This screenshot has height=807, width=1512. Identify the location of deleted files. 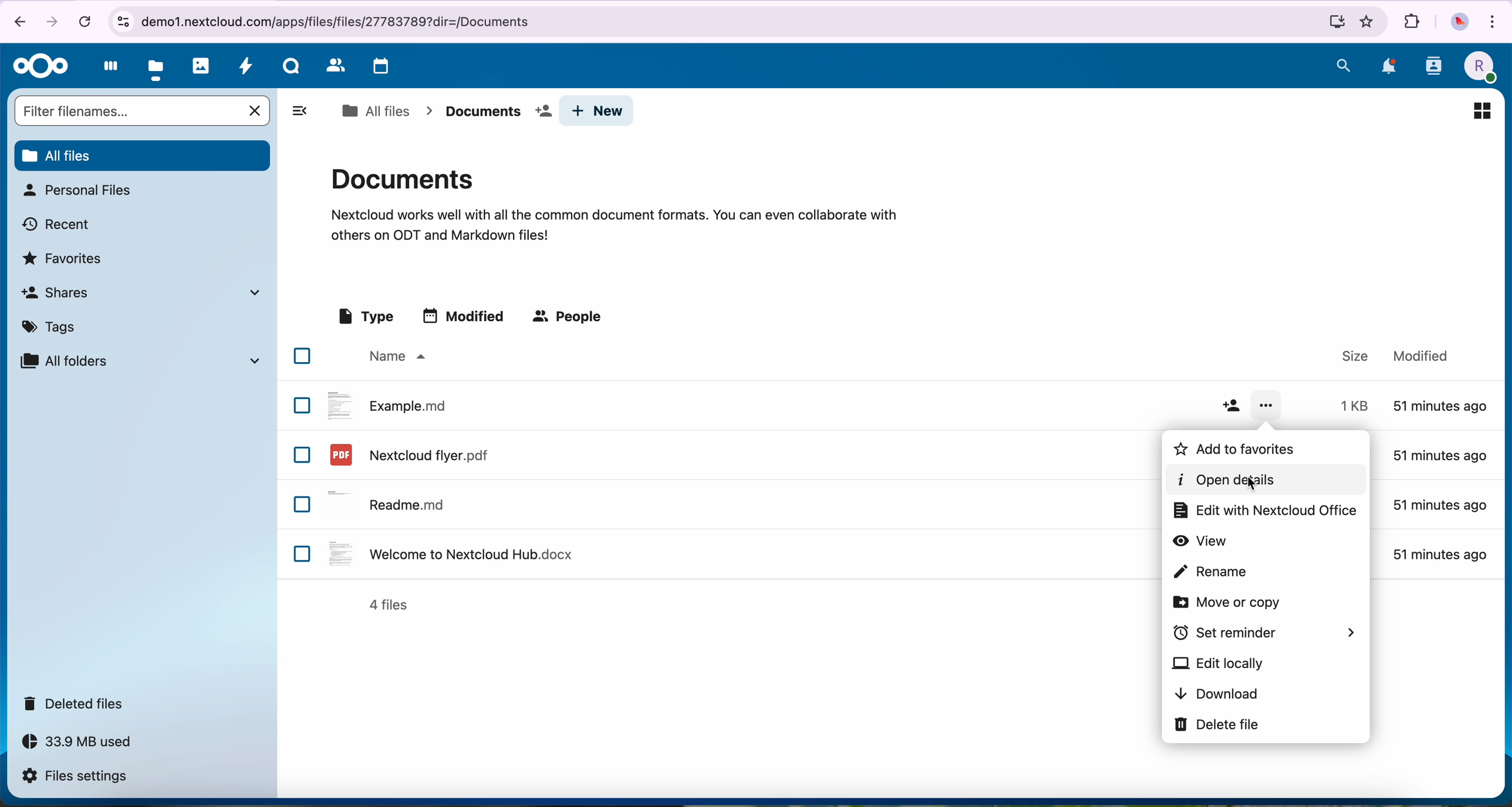
(77, 704).